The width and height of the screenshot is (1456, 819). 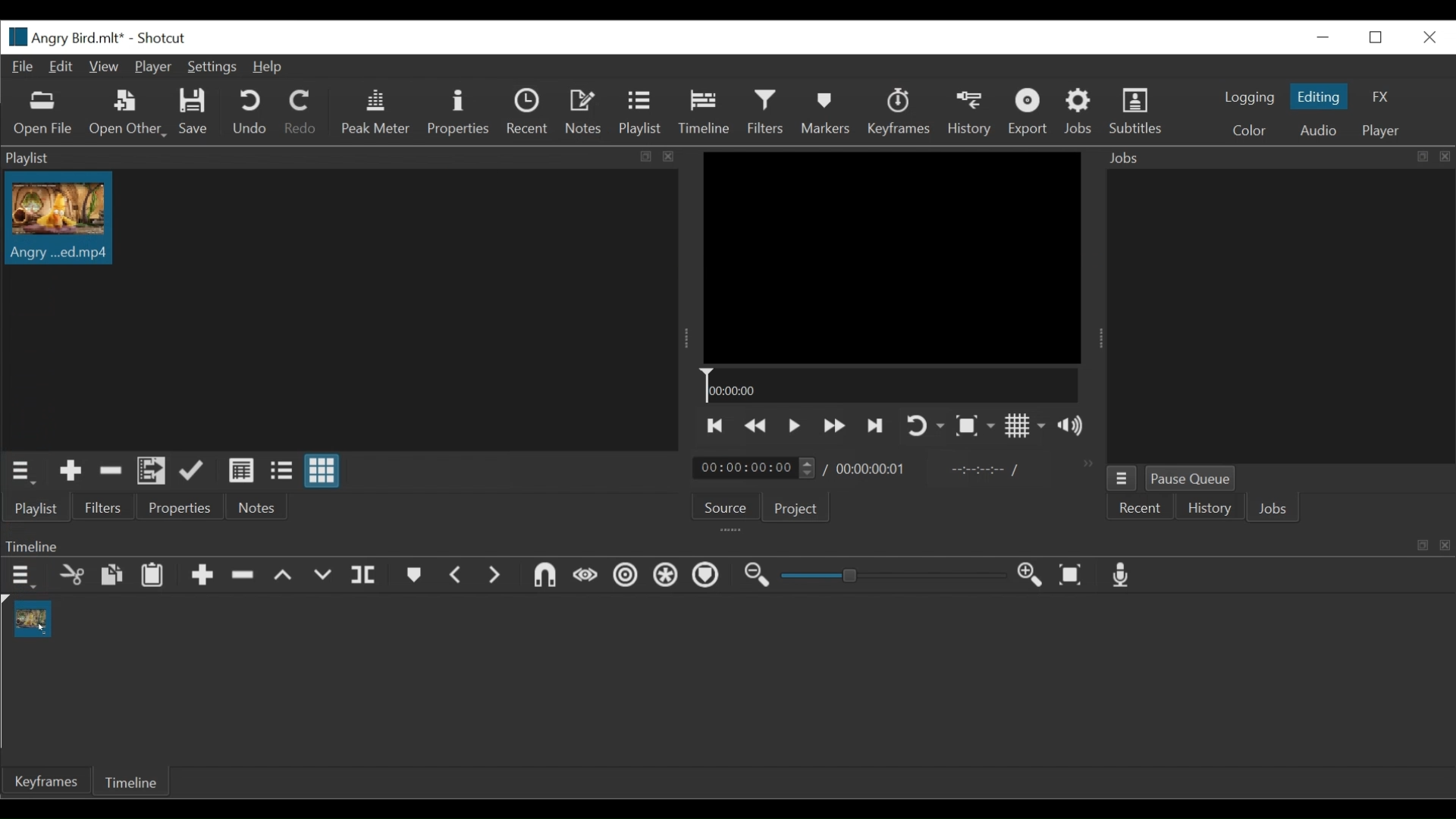 What do you see at coordinates (1072, 576) in the screenshot?
I see `Zoom timeline to fit` at bounding box center [1072, 576].